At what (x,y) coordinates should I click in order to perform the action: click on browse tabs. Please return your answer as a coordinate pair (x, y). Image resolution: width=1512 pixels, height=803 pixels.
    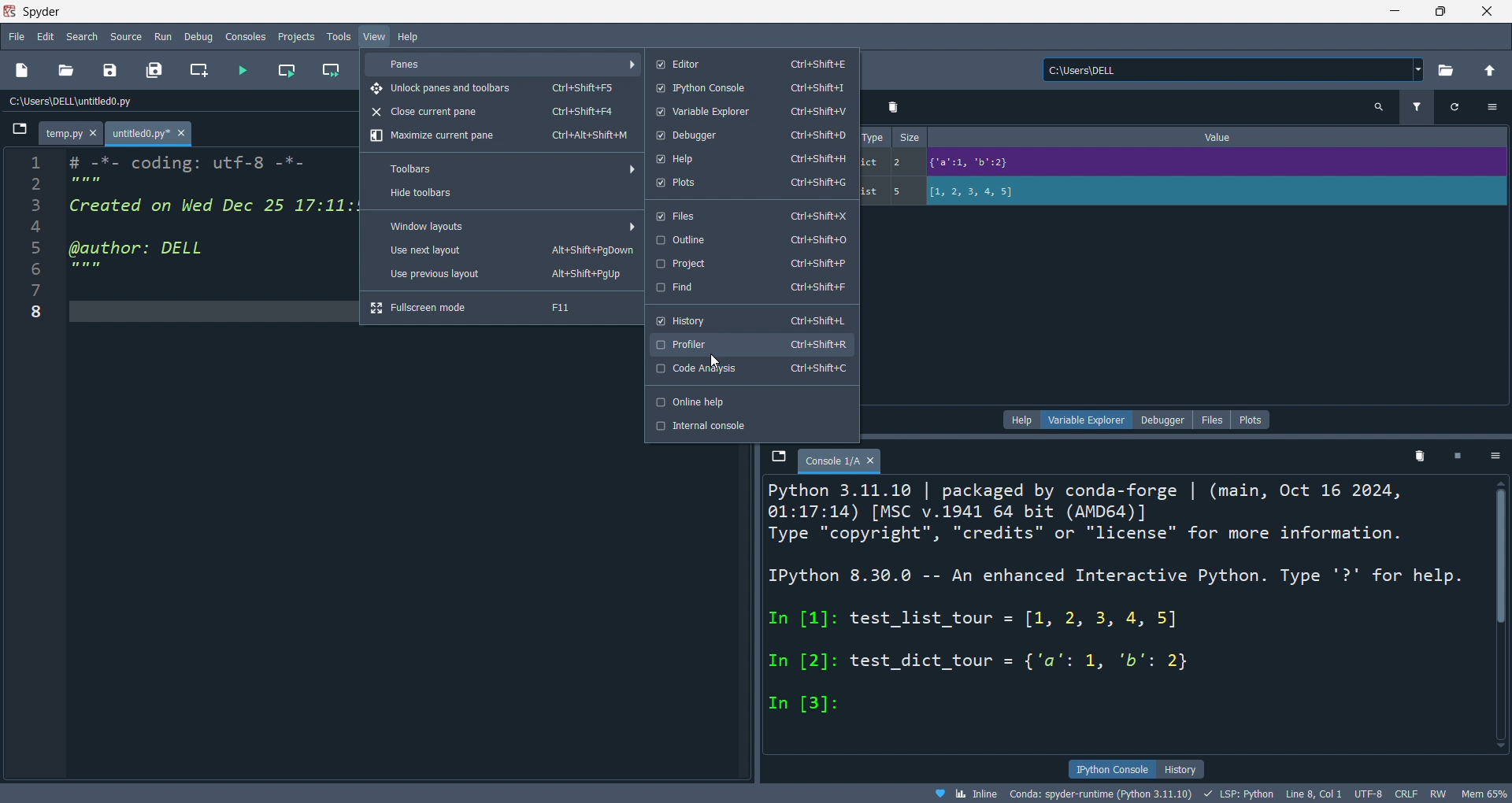
    Looking at the image, I should click on (20, 132).